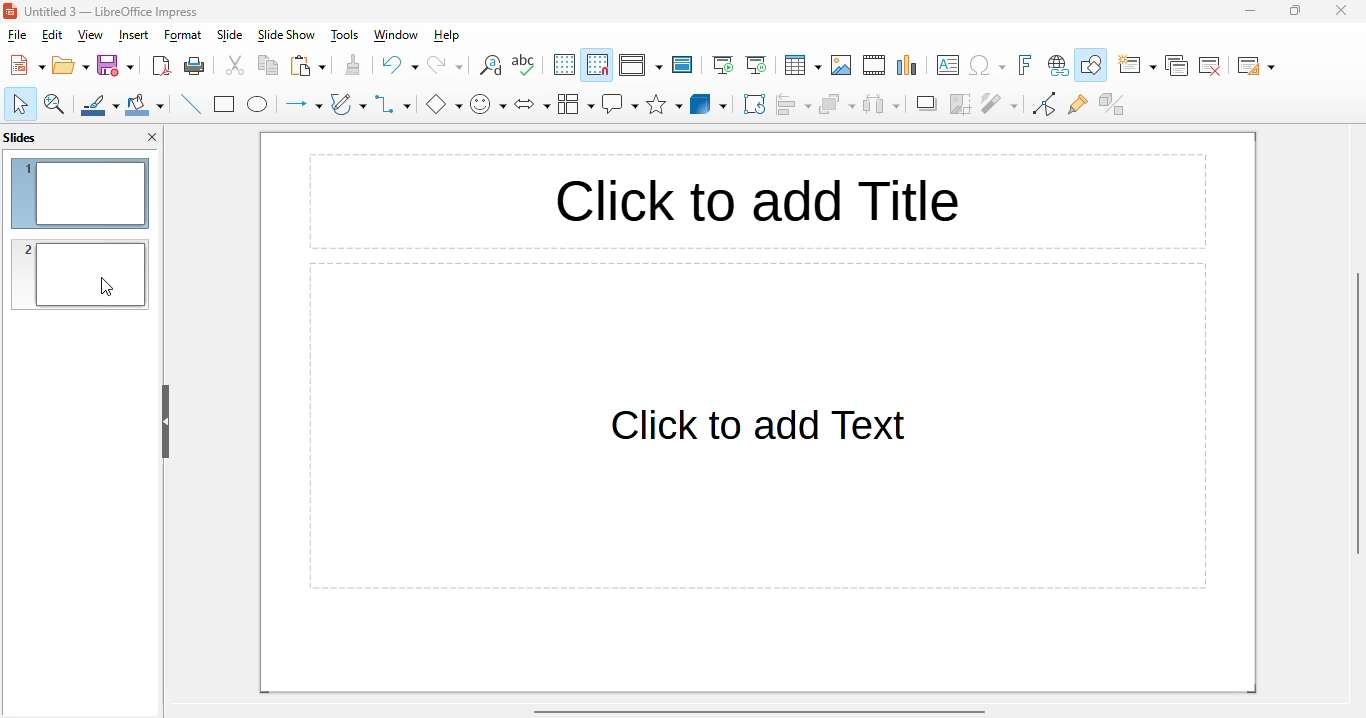  I want to click on view, so click(90, 35).